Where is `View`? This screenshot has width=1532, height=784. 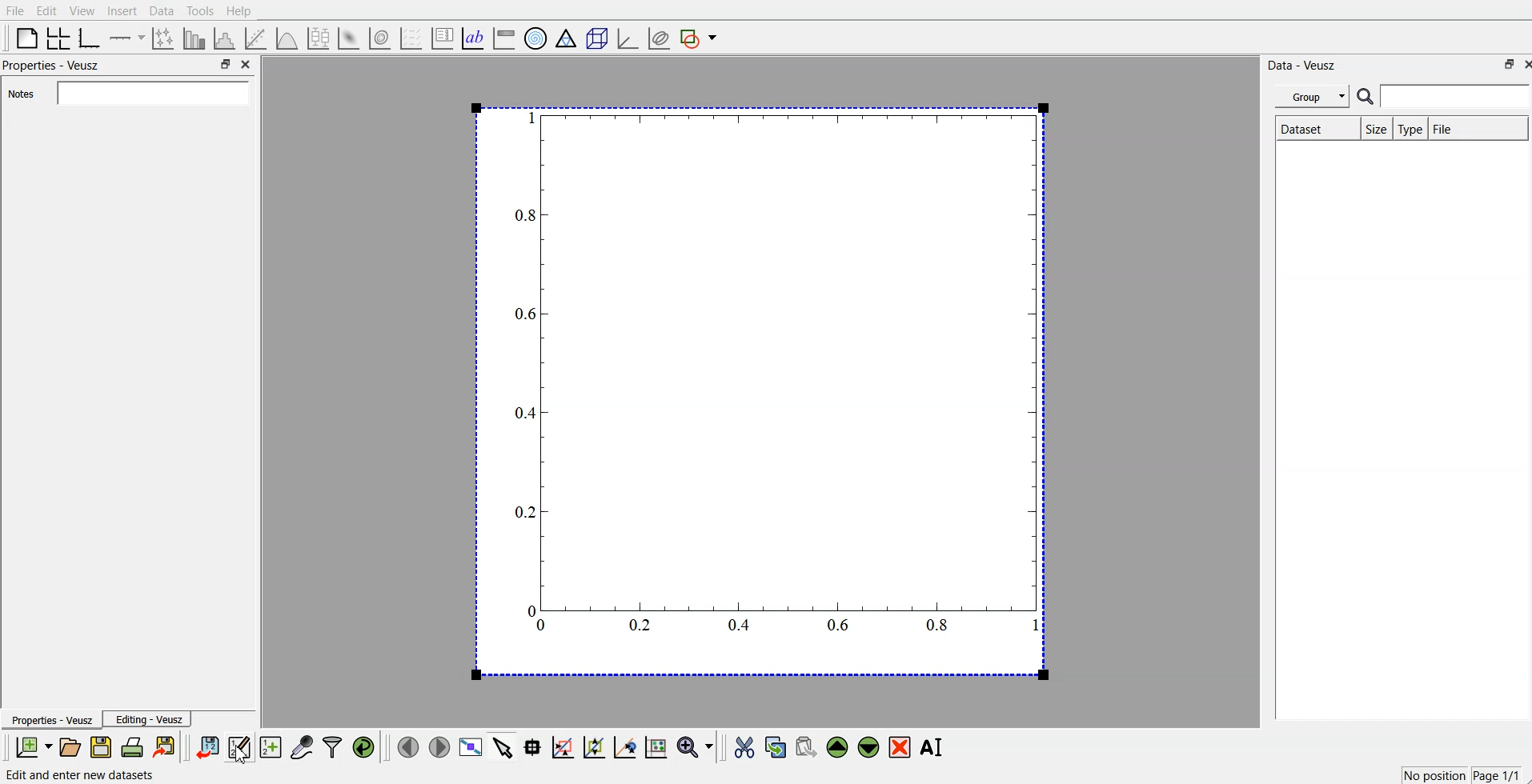 View is located at coordinates (82, 10).